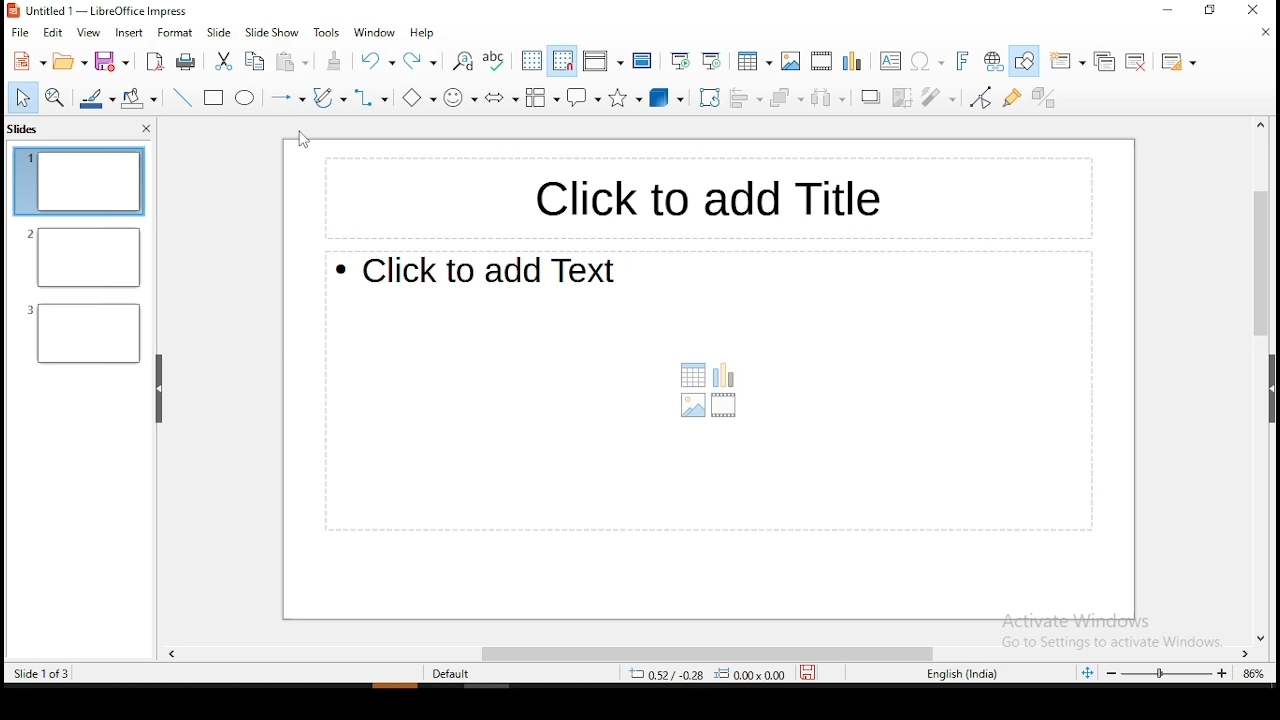  I want to click on scroll bar, so click(1253, 381).